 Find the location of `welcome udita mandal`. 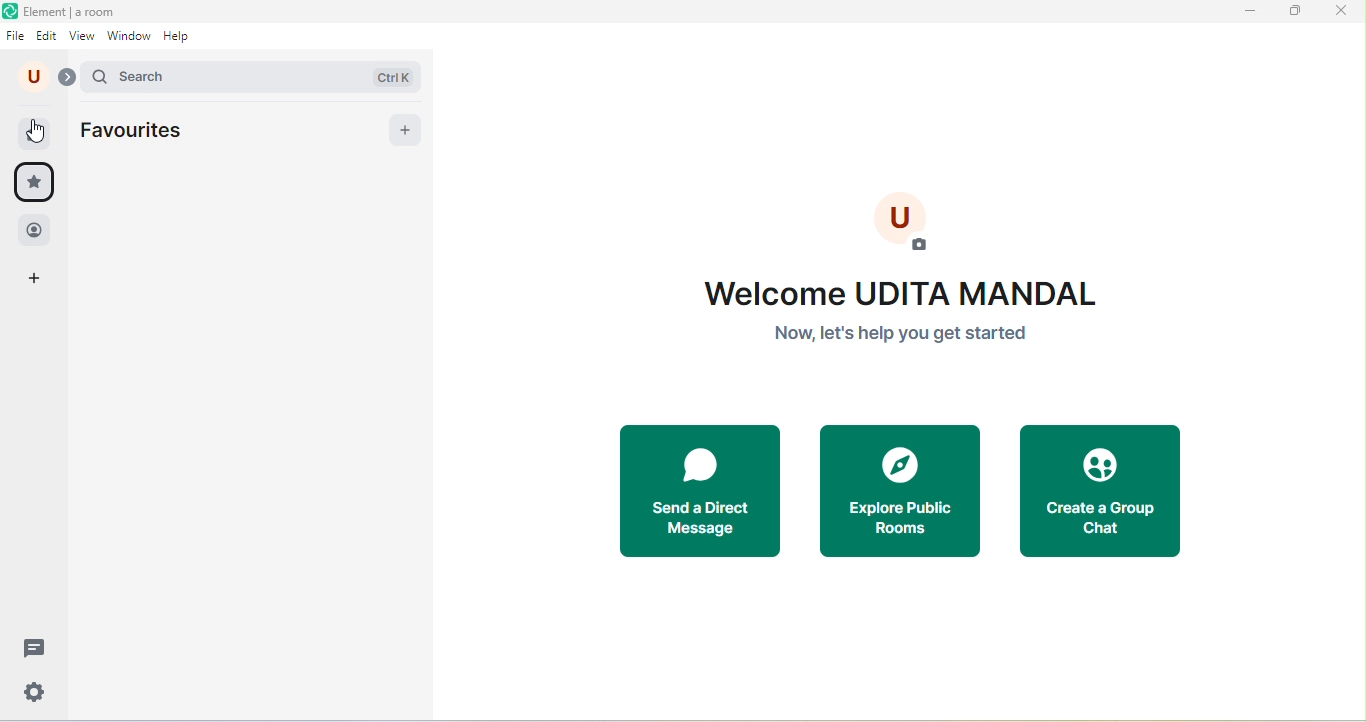

welcome udita mandal is located at coordinates (916, 283).